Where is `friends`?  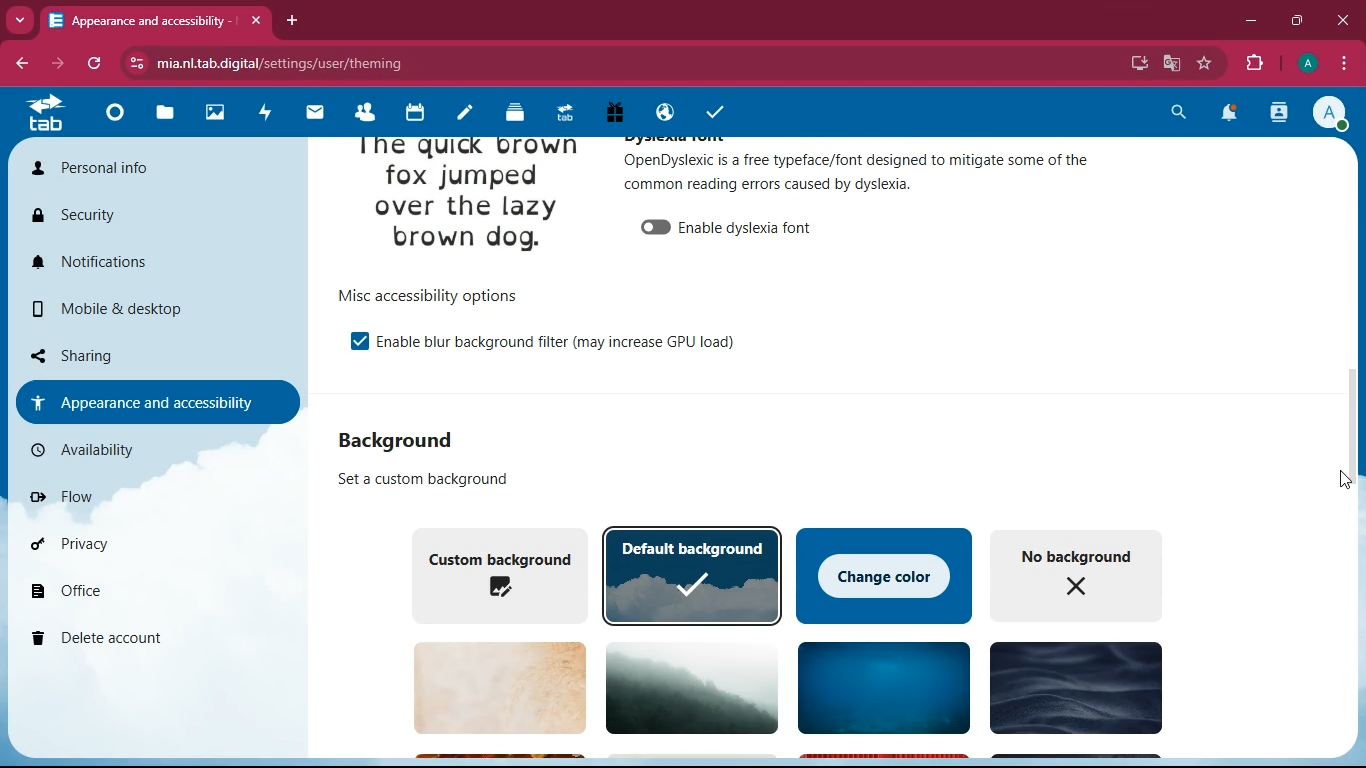 friends is located at coordinates (362, 113).